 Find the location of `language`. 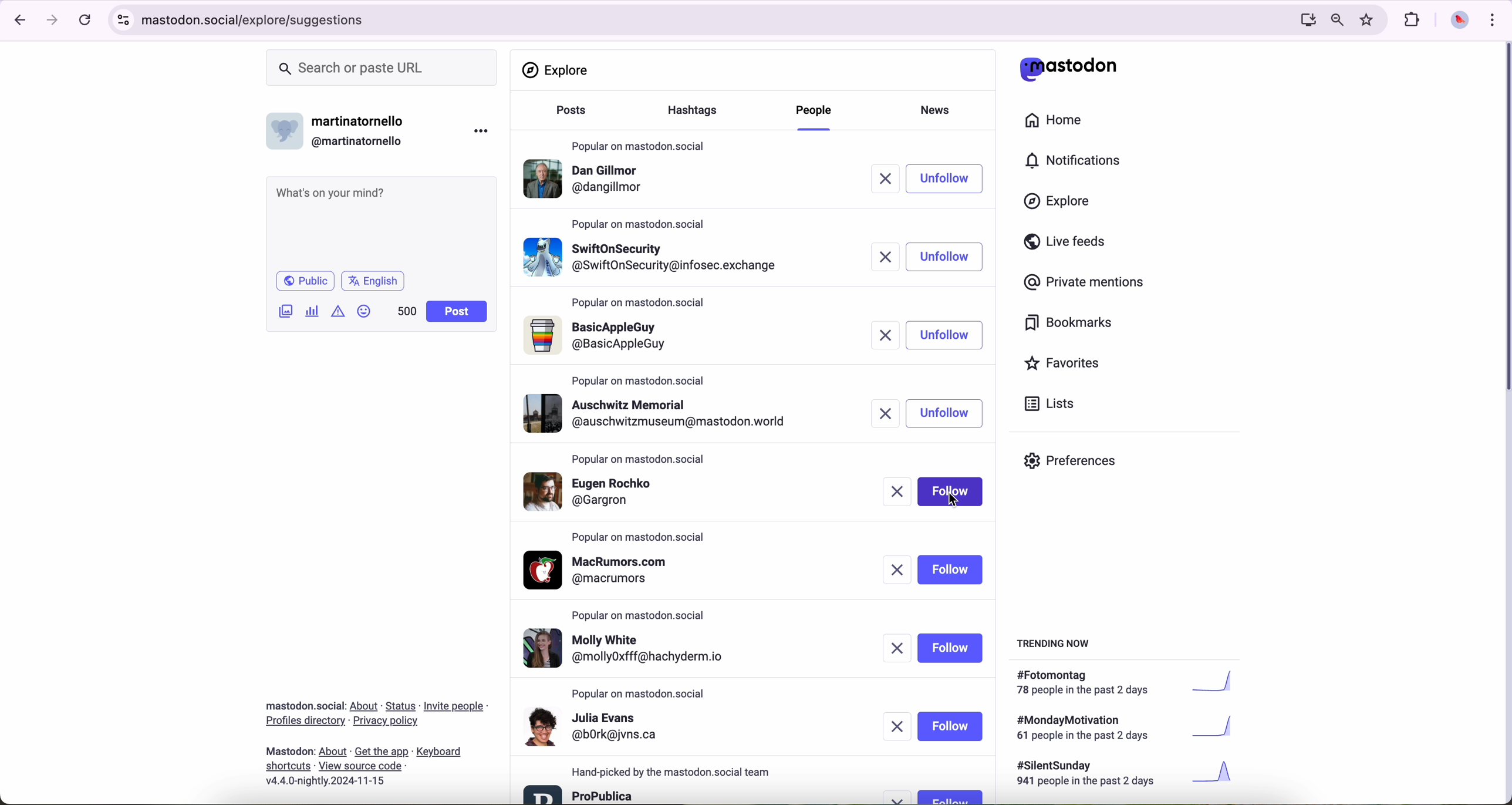

language is located at coordinates (373, 280).